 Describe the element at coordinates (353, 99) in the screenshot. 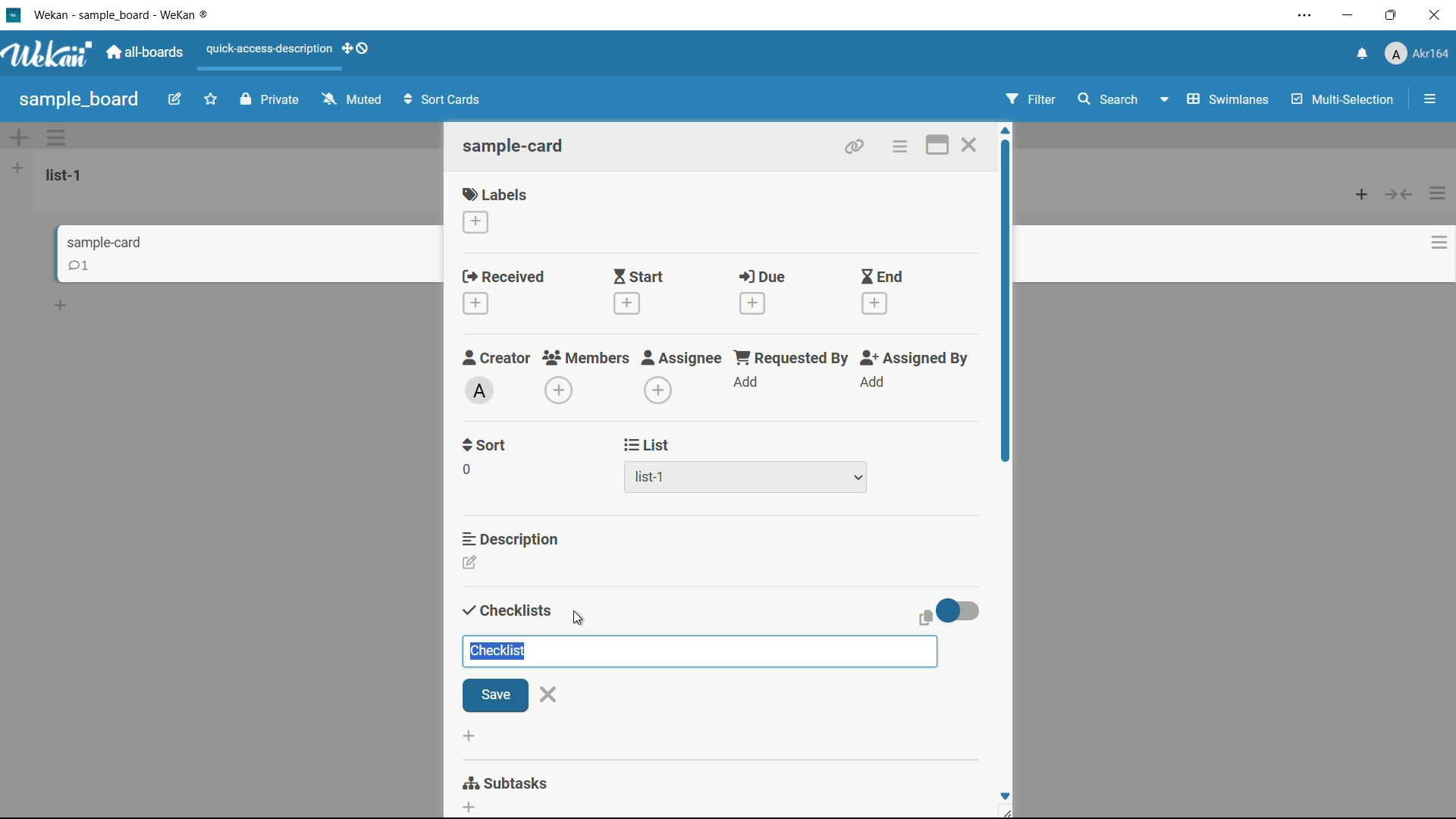

I see ` Muted` at that location.